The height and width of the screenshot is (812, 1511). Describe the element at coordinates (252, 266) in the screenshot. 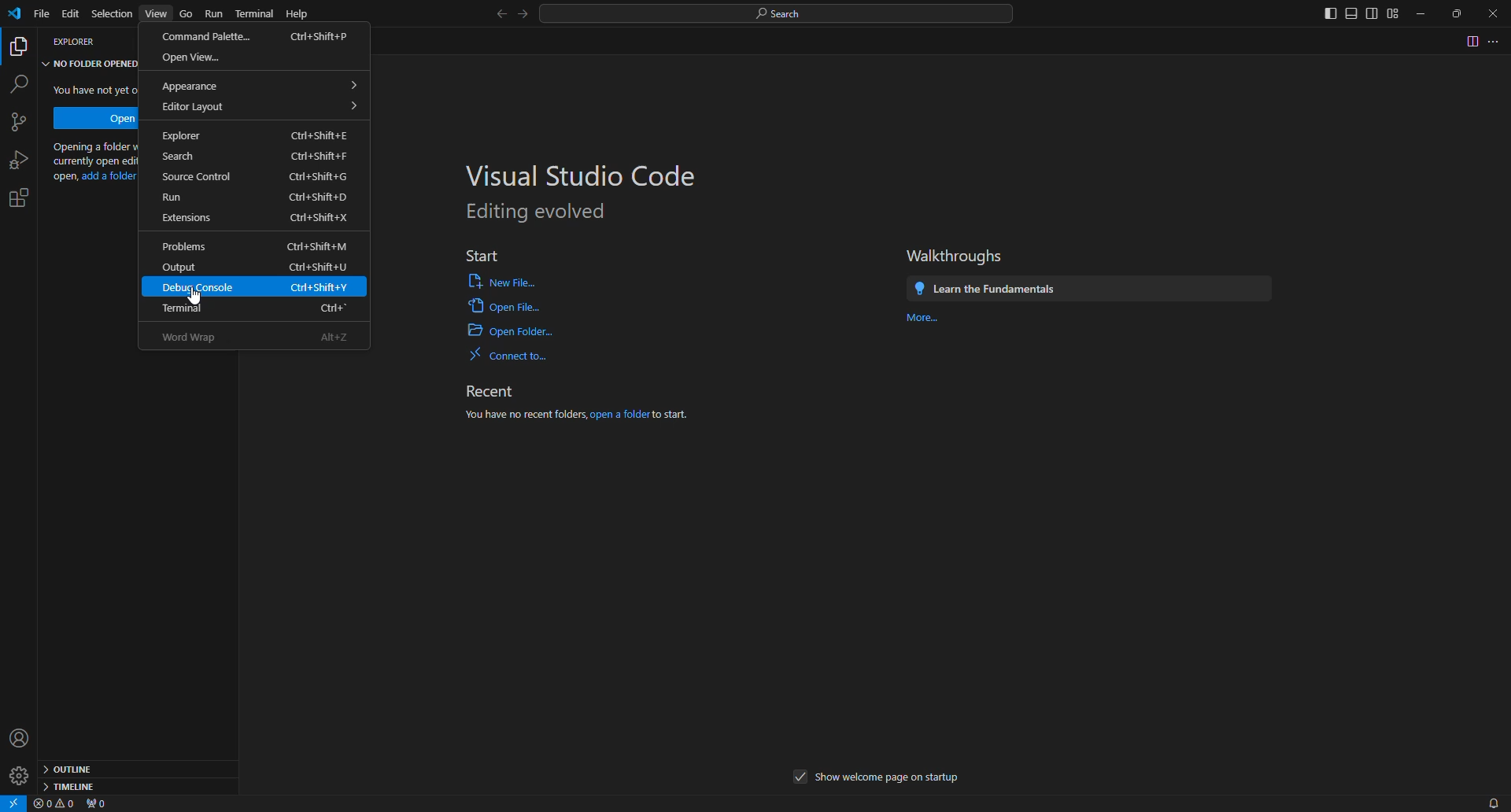

I see `Output` at that location.